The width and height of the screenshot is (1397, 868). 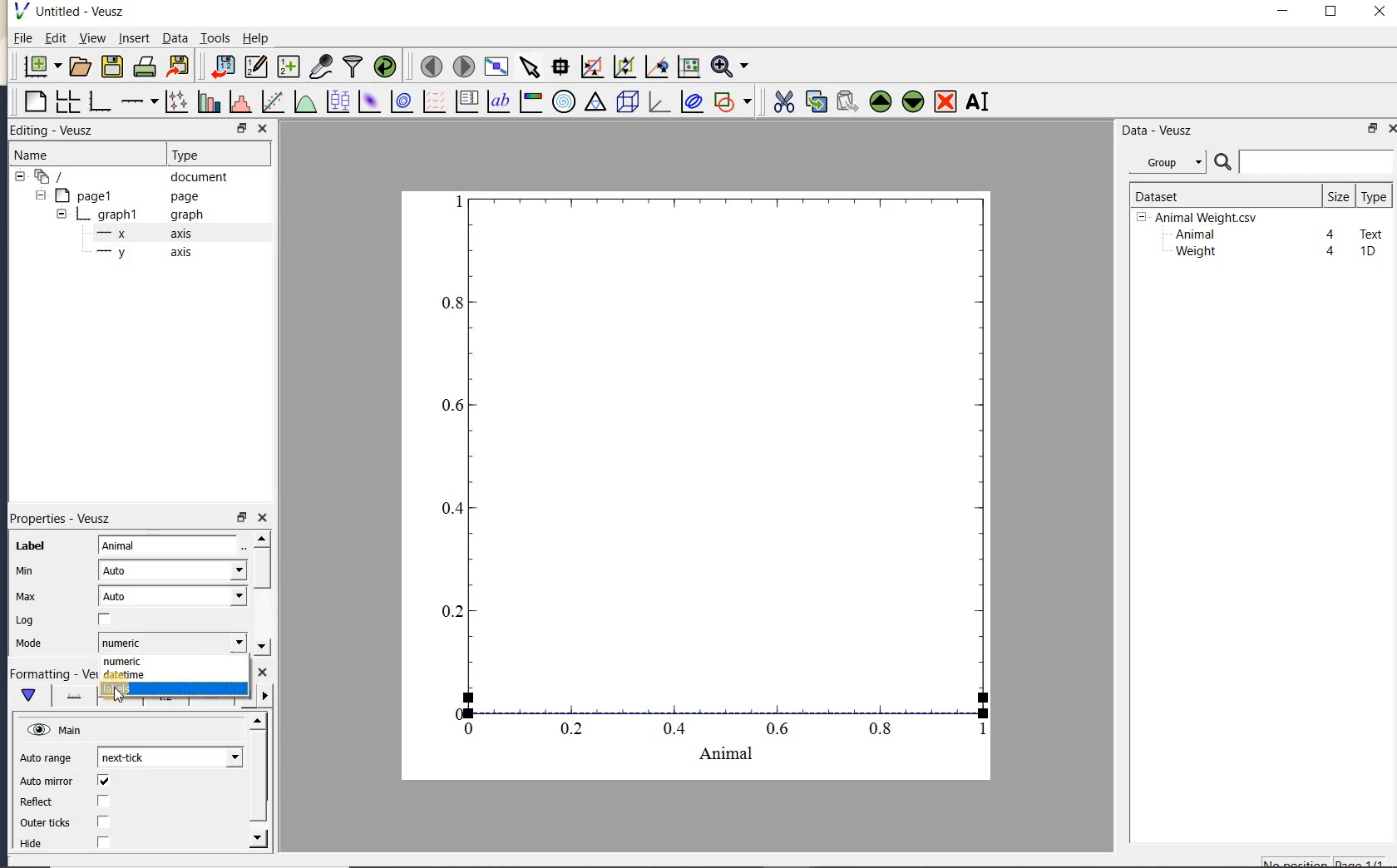 What do you see at coordinates (239, 126) in the screenshot?
I see `RESTORE` at bounding box center [239, 126].